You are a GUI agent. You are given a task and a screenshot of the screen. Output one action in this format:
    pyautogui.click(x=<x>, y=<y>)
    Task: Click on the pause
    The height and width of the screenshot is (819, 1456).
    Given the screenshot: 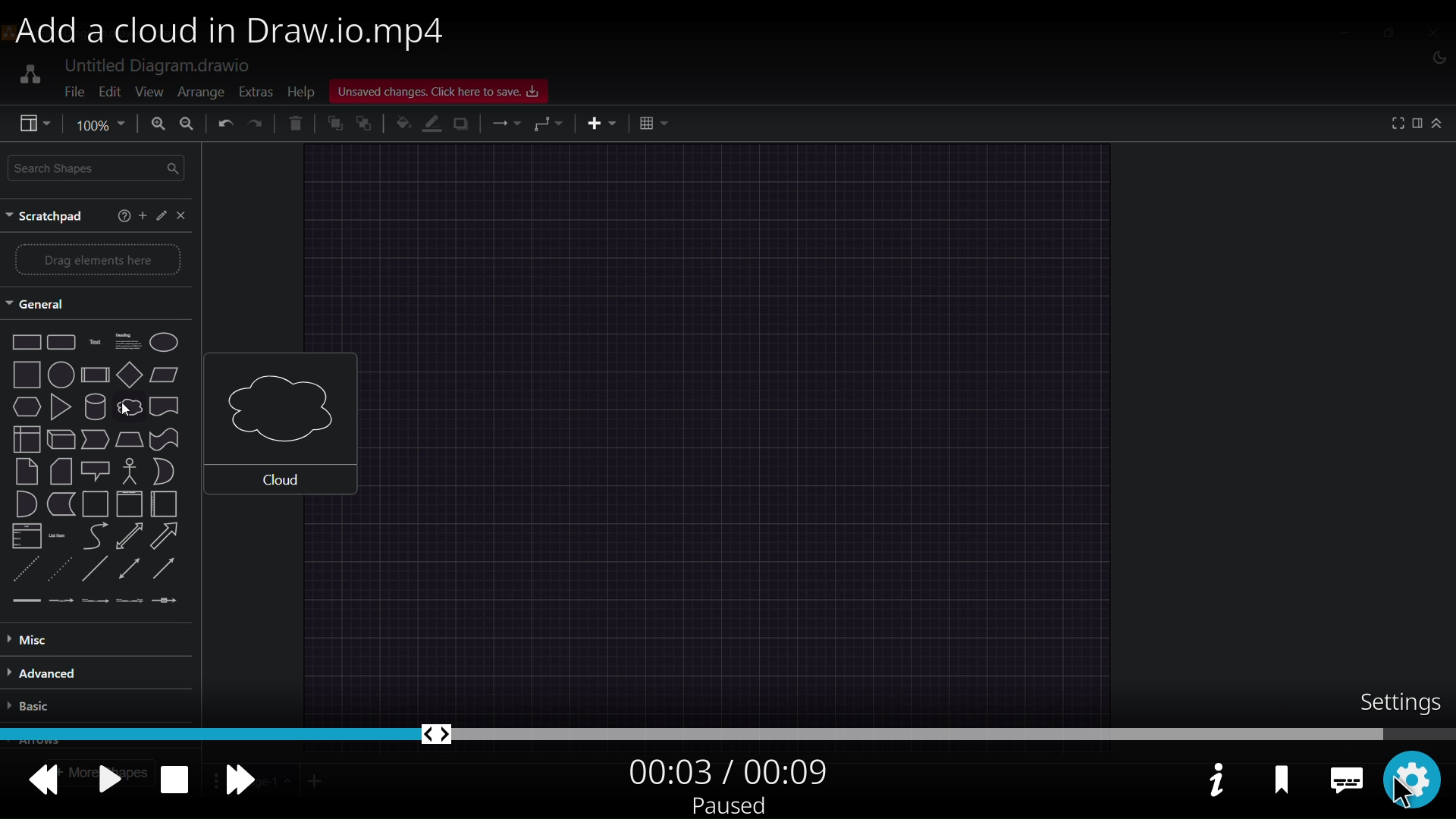 What is the action you would take?
    pyautogui.click(x=104, y=780)
    